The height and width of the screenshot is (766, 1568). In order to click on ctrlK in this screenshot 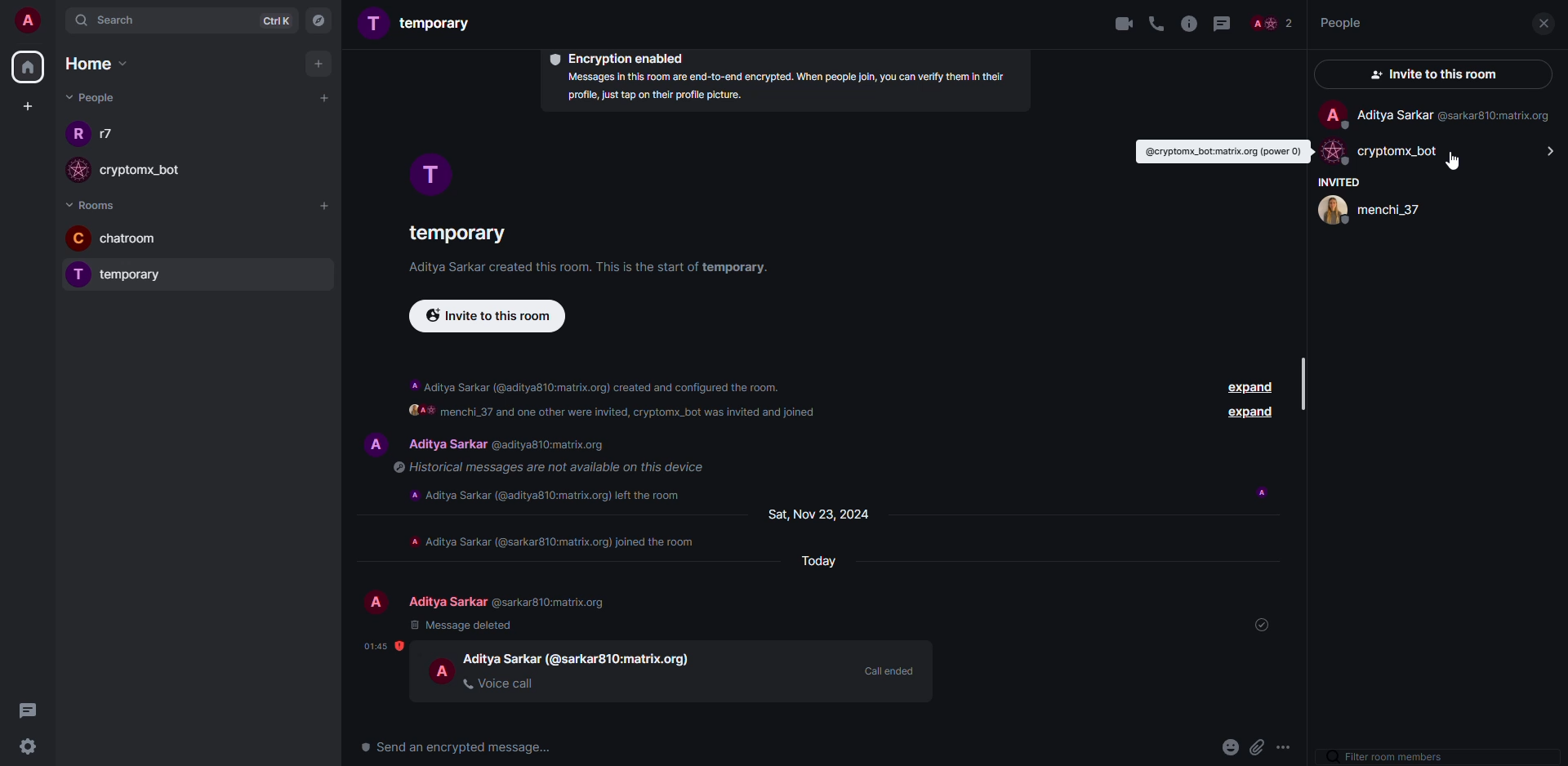, I will do `click(269, 20)`.